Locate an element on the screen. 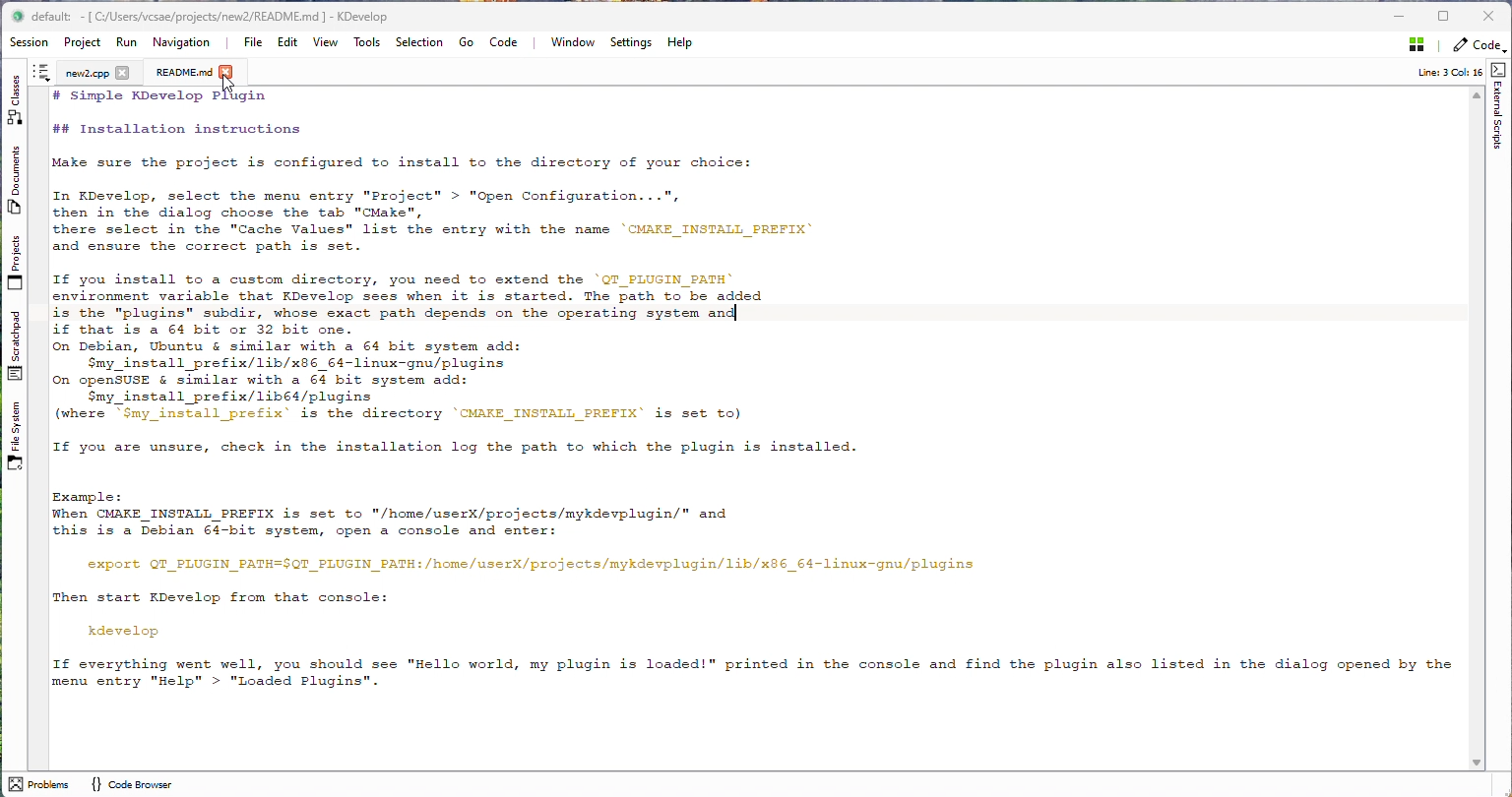 The image size is (1512, 797). Stash is located at coordinates (1417, 45).